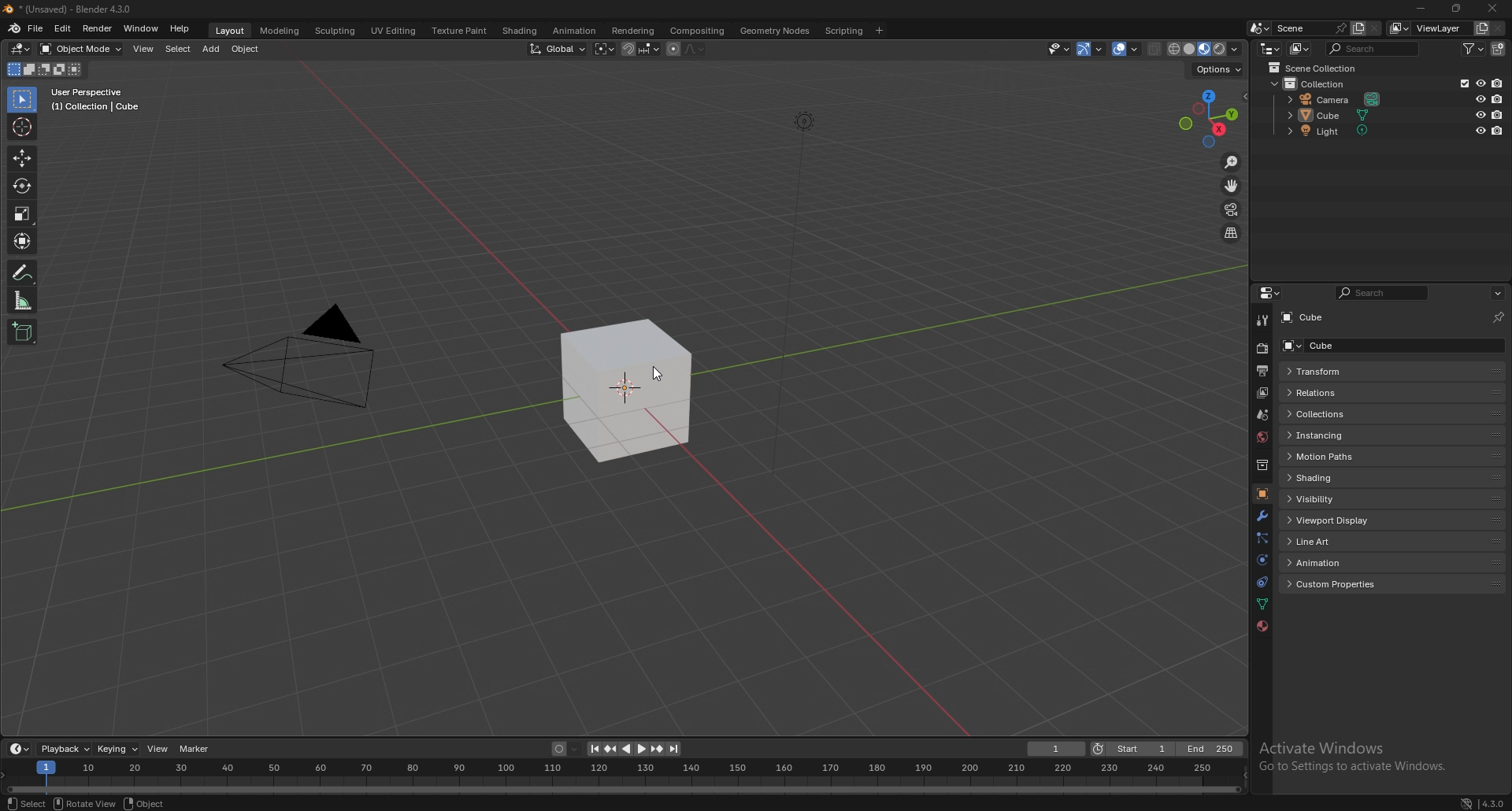 The height and width of the screenshot is (811, 1512). I want to click on measure, so click(24, 301).